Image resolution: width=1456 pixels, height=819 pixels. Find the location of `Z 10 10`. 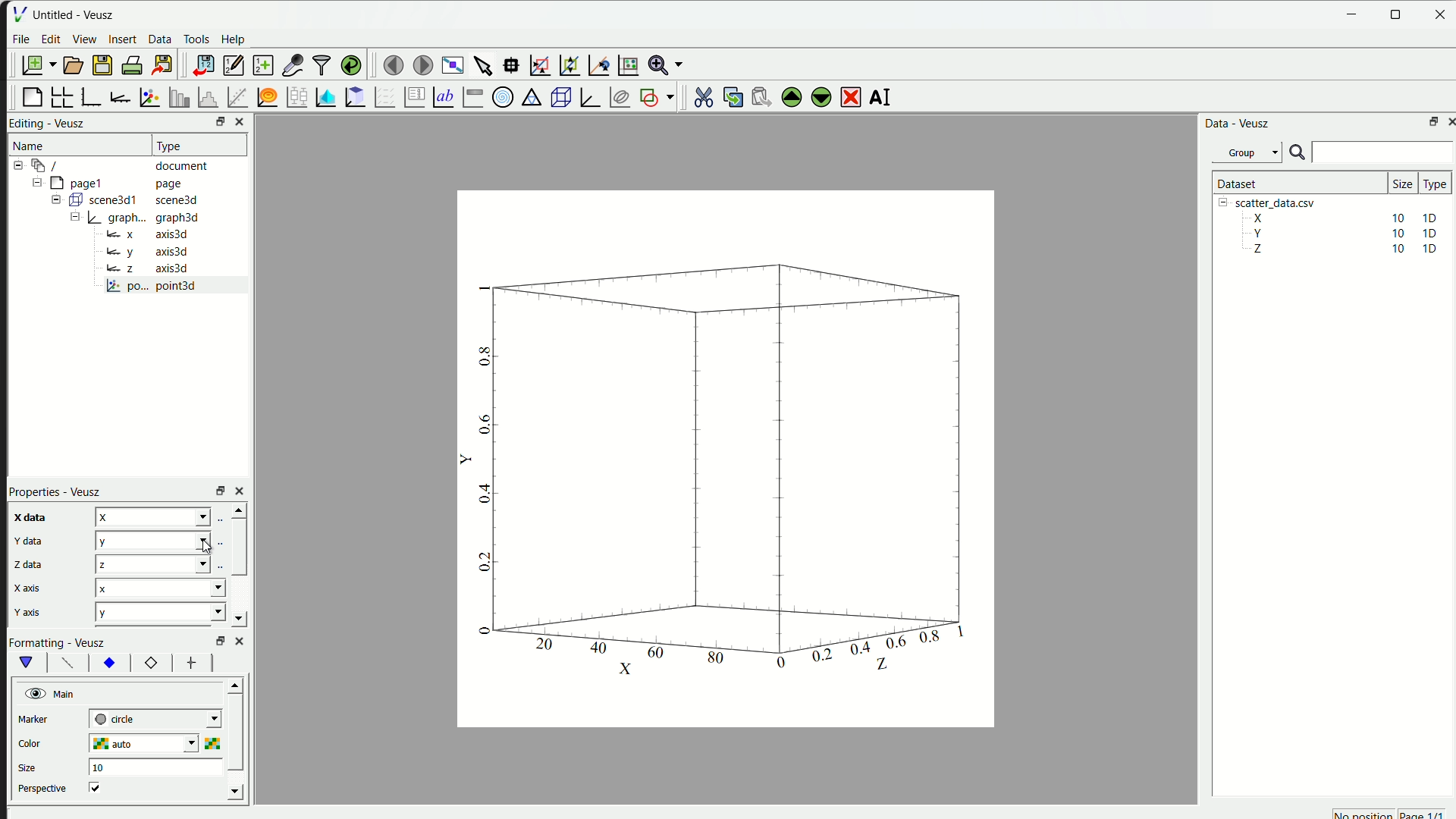

Z 10 10 is located at coordinates (1341, 250).